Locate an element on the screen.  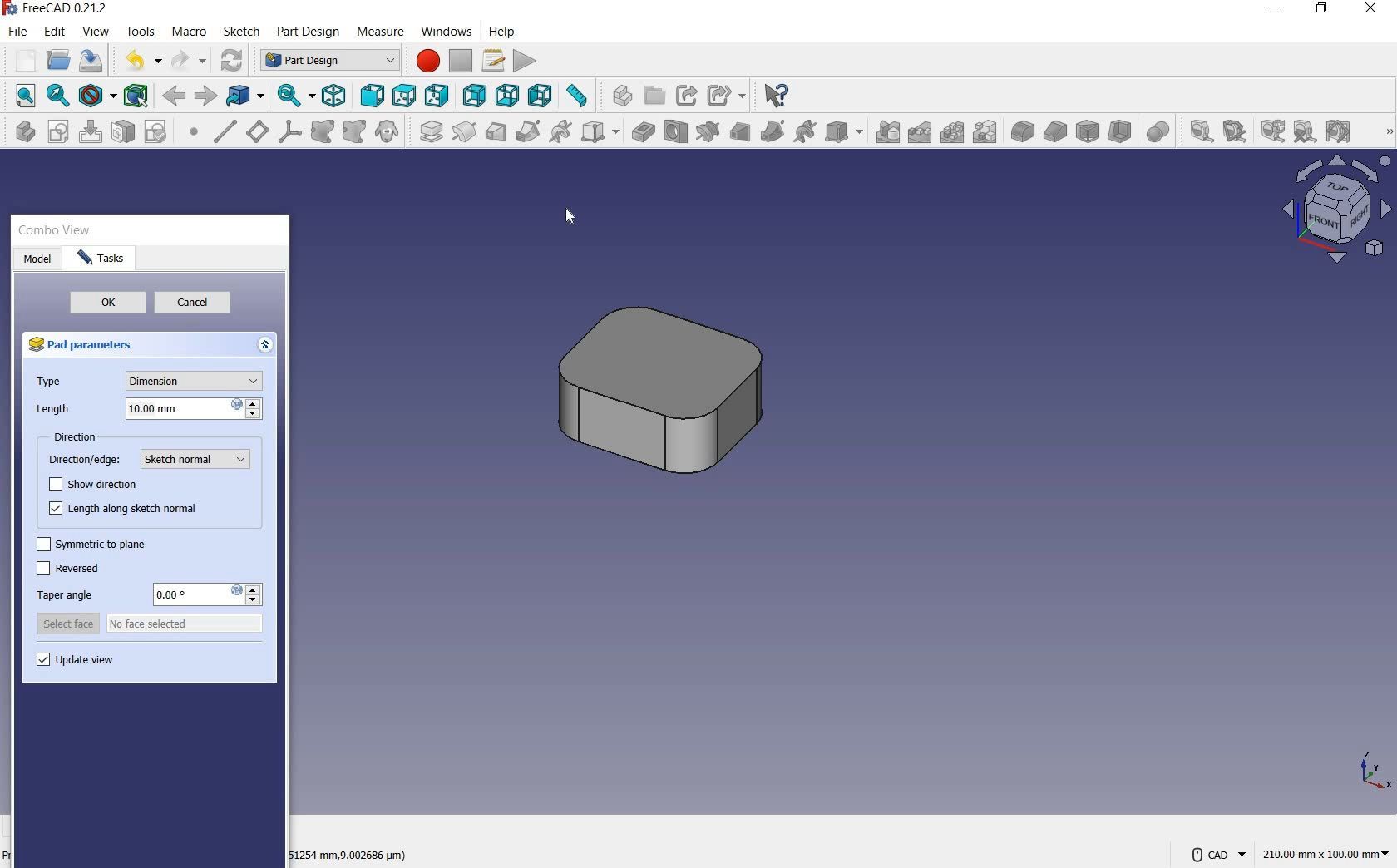
create body is located at coordinates (21, 133).